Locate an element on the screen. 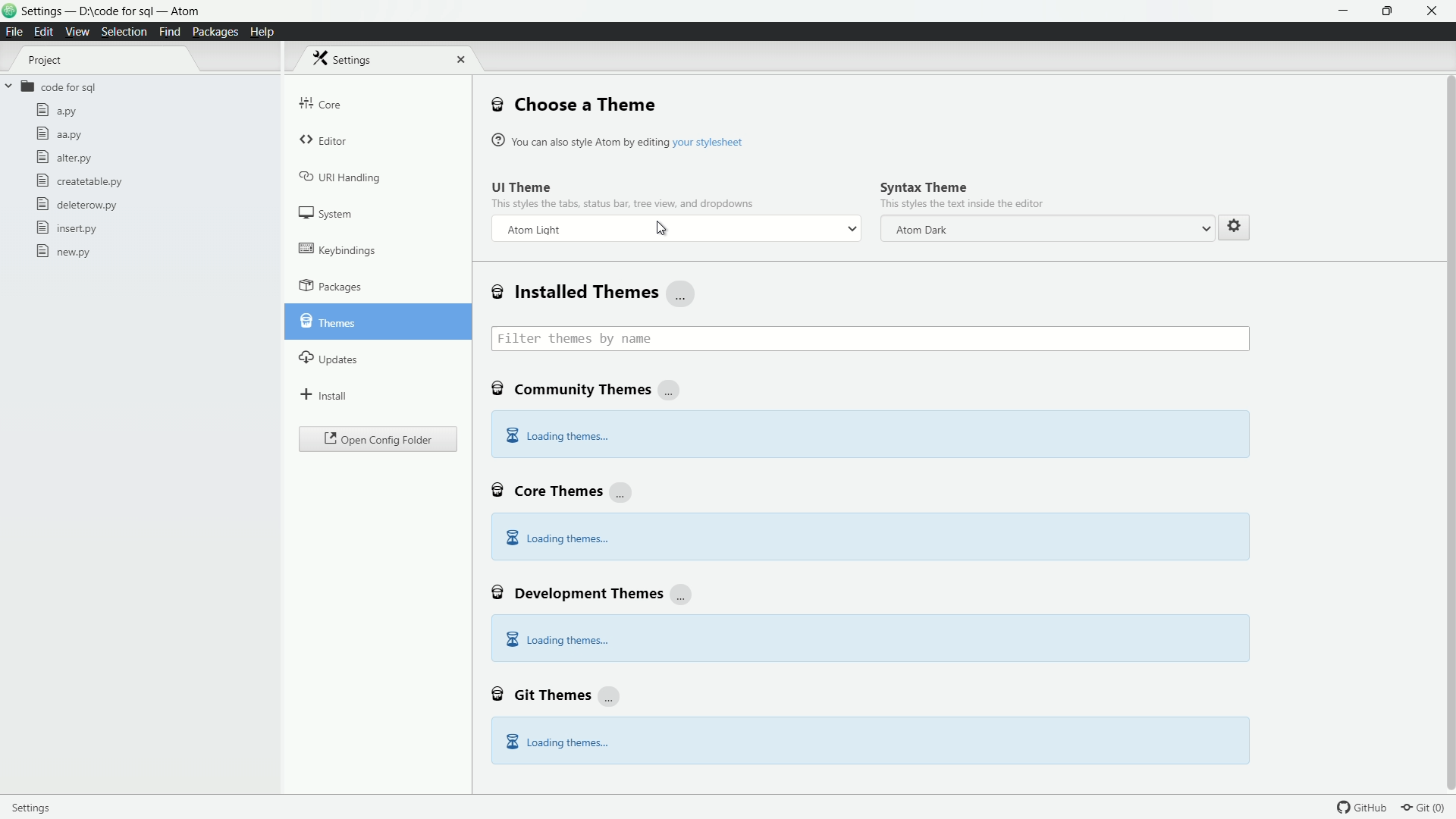  close is located at coordinates (458, 59).